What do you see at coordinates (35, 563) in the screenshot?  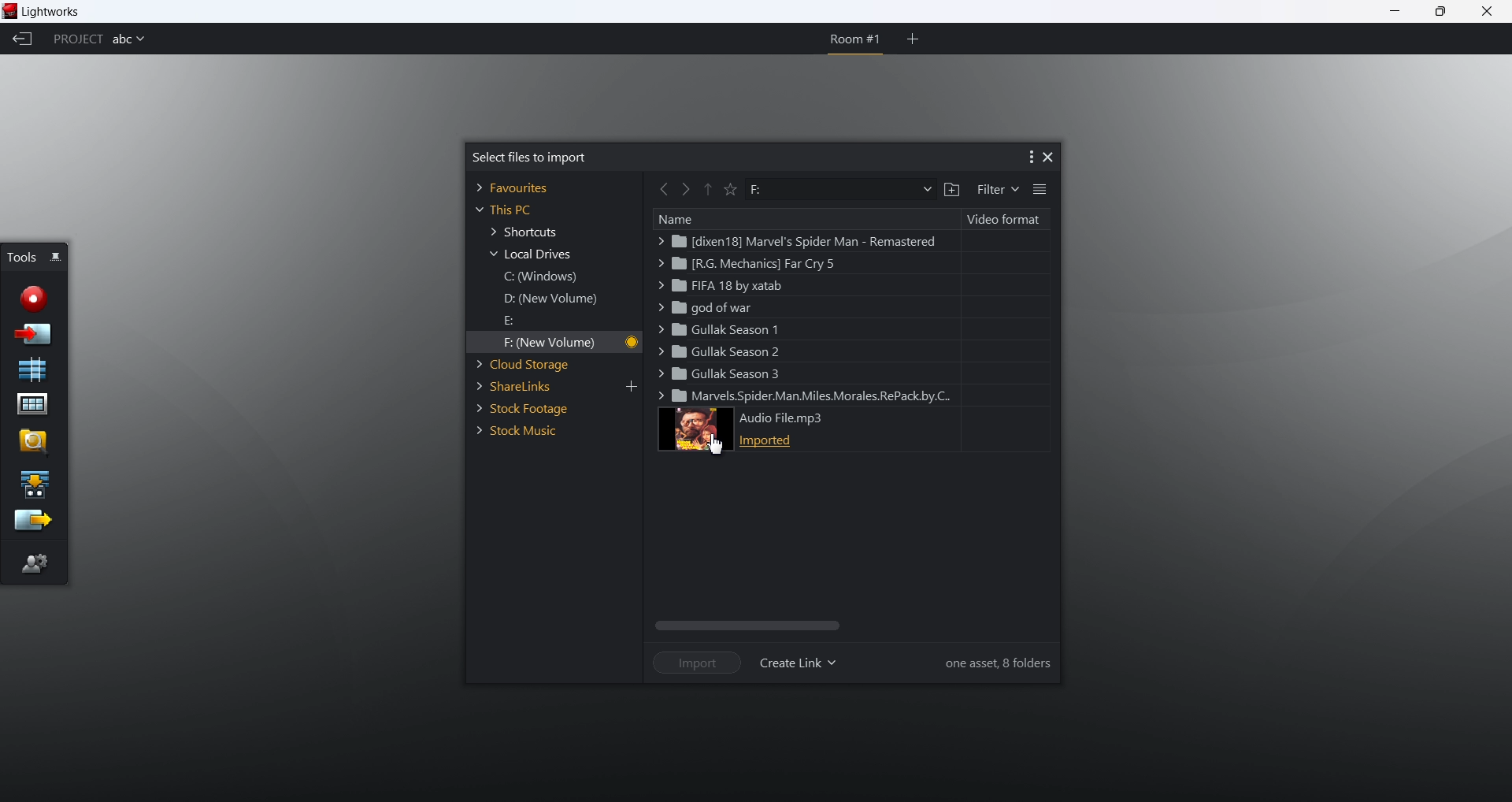 I see `editor preference` at bounding box center [35, 563].